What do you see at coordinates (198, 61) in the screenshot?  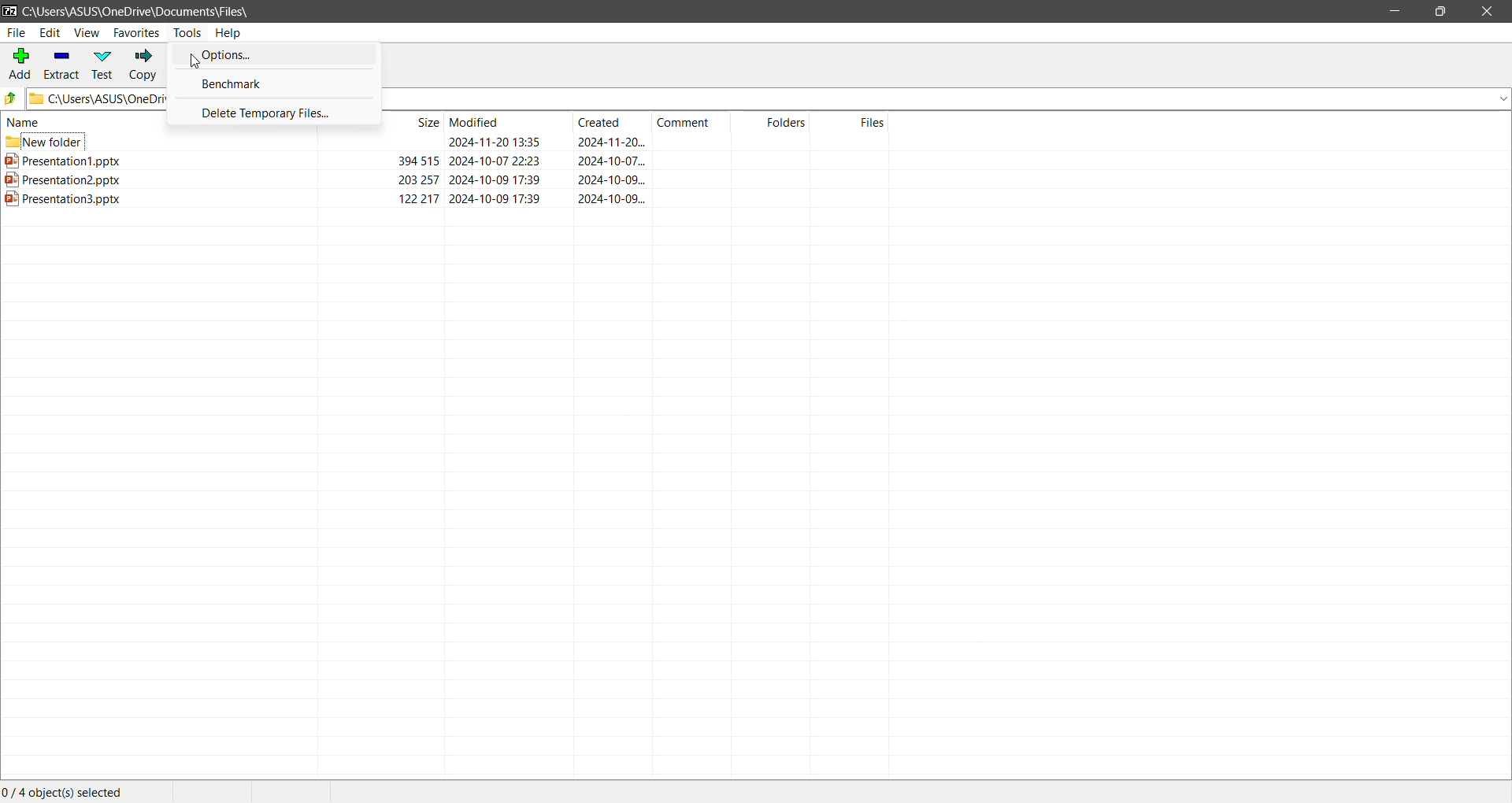 I see `cursor` at bounding box center [198, 61].